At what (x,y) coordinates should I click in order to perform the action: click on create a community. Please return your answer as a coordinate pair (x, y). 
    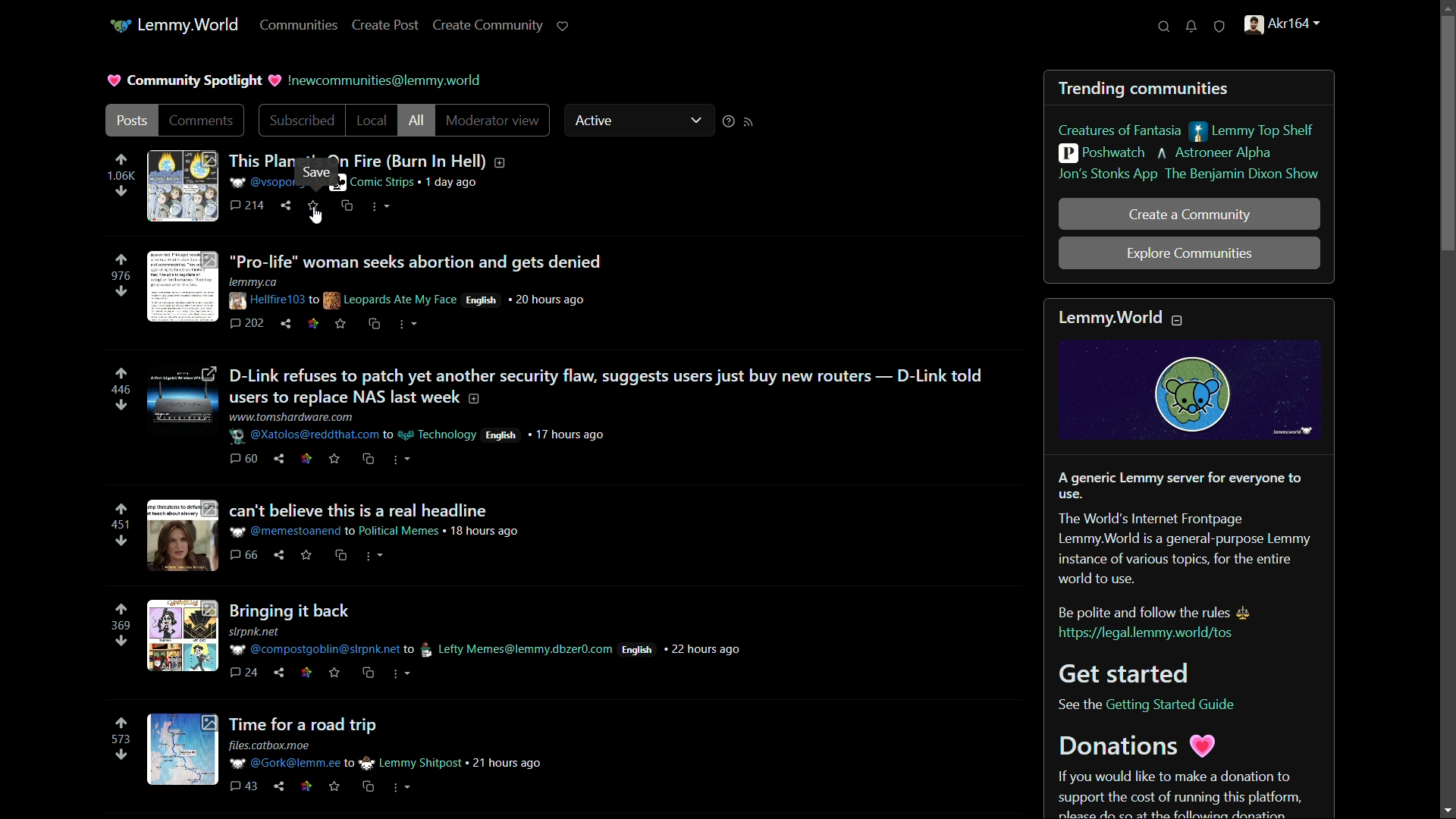
    Looking at the image, I should click on (1188, 215).